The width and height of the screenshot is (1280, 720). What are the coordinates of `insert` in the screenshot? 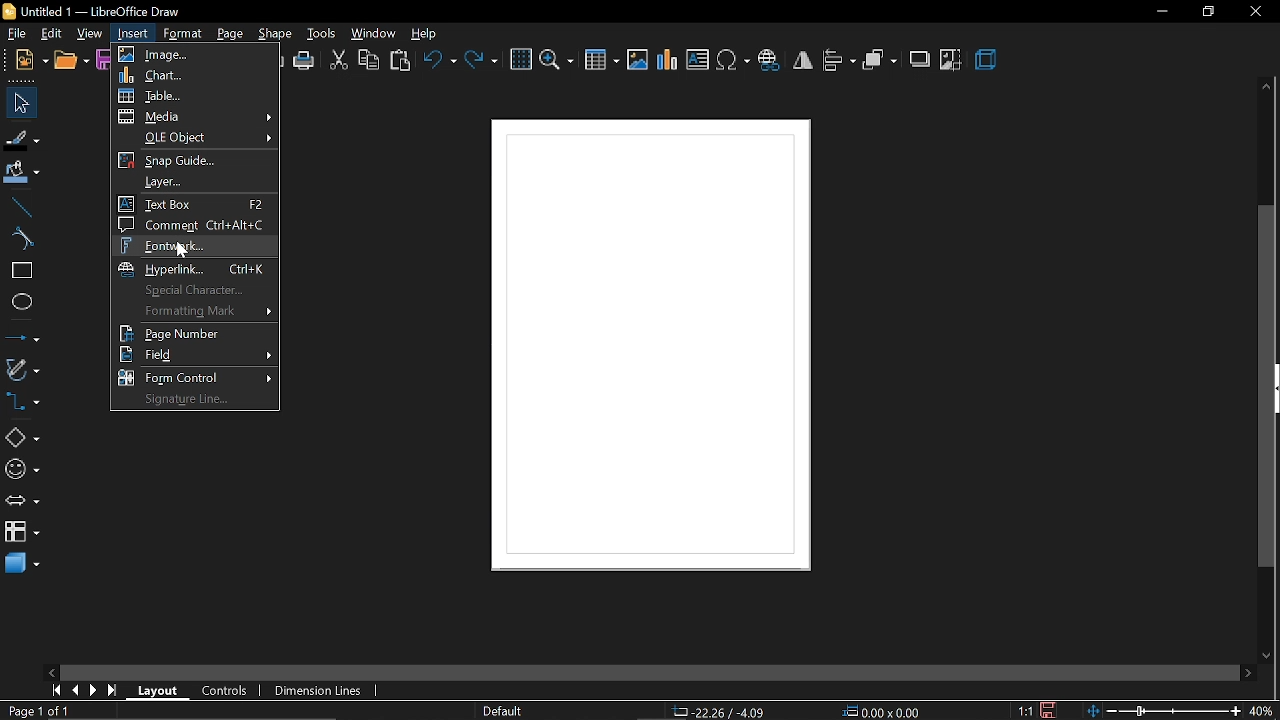 It's located at (133, 35).